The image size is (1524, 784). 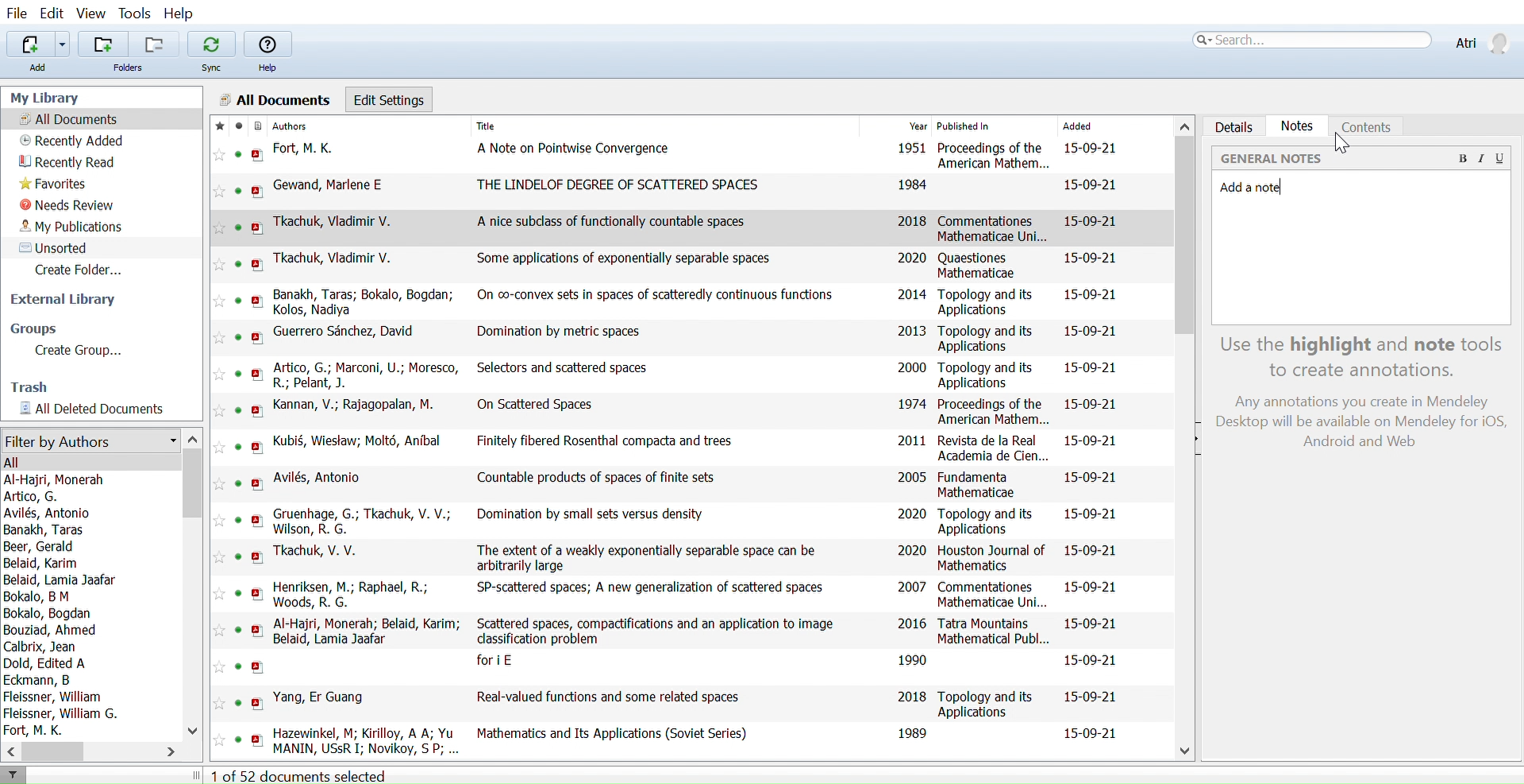 What do you see at coordinates (258, 740) in the screenshot?
I see `open PDF` at bounding box center [258, 740].